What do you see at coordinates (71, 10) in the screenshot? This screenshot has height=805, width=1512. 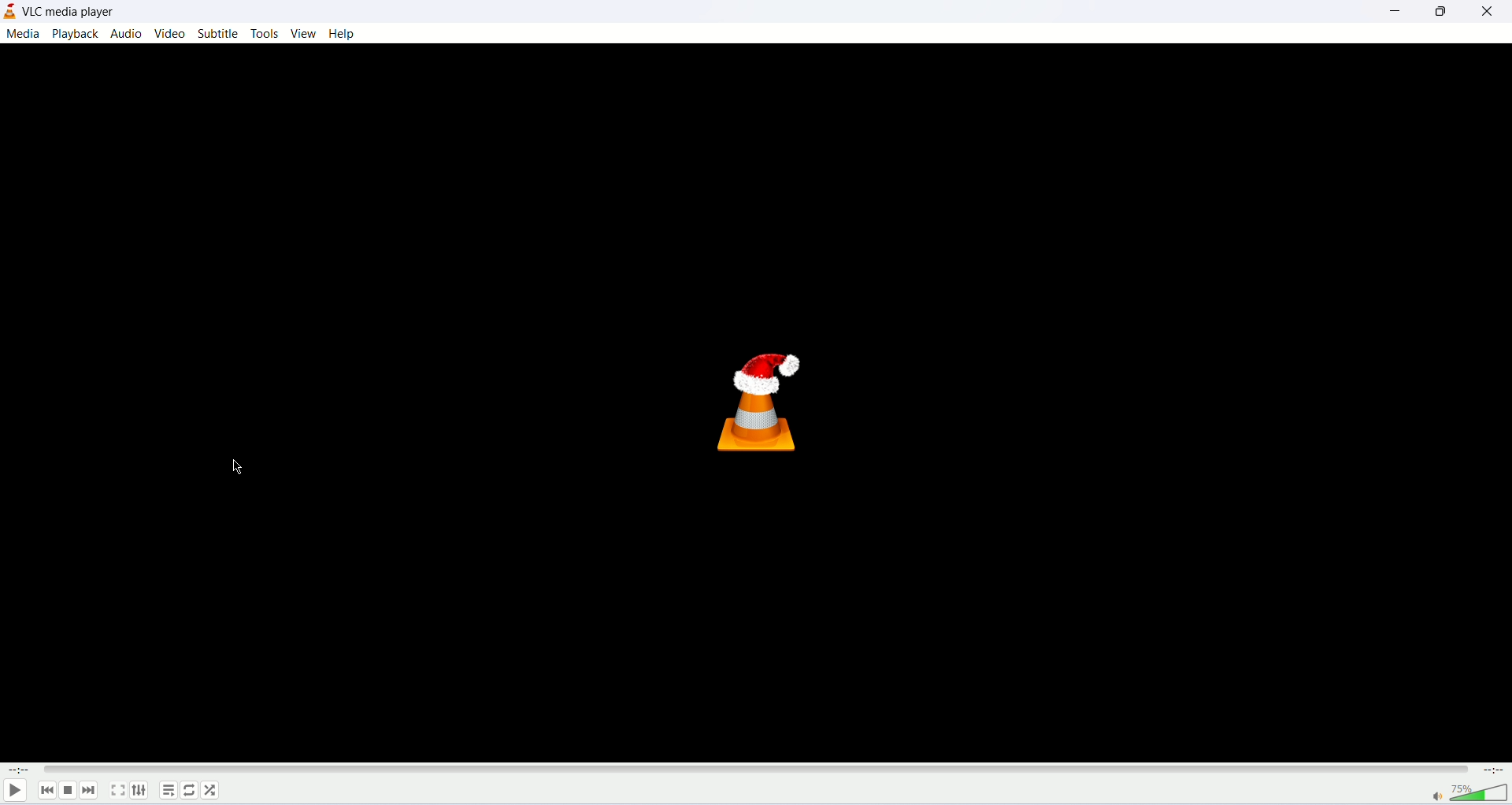 I see `vlc media player` at bounding box center [71, 10].